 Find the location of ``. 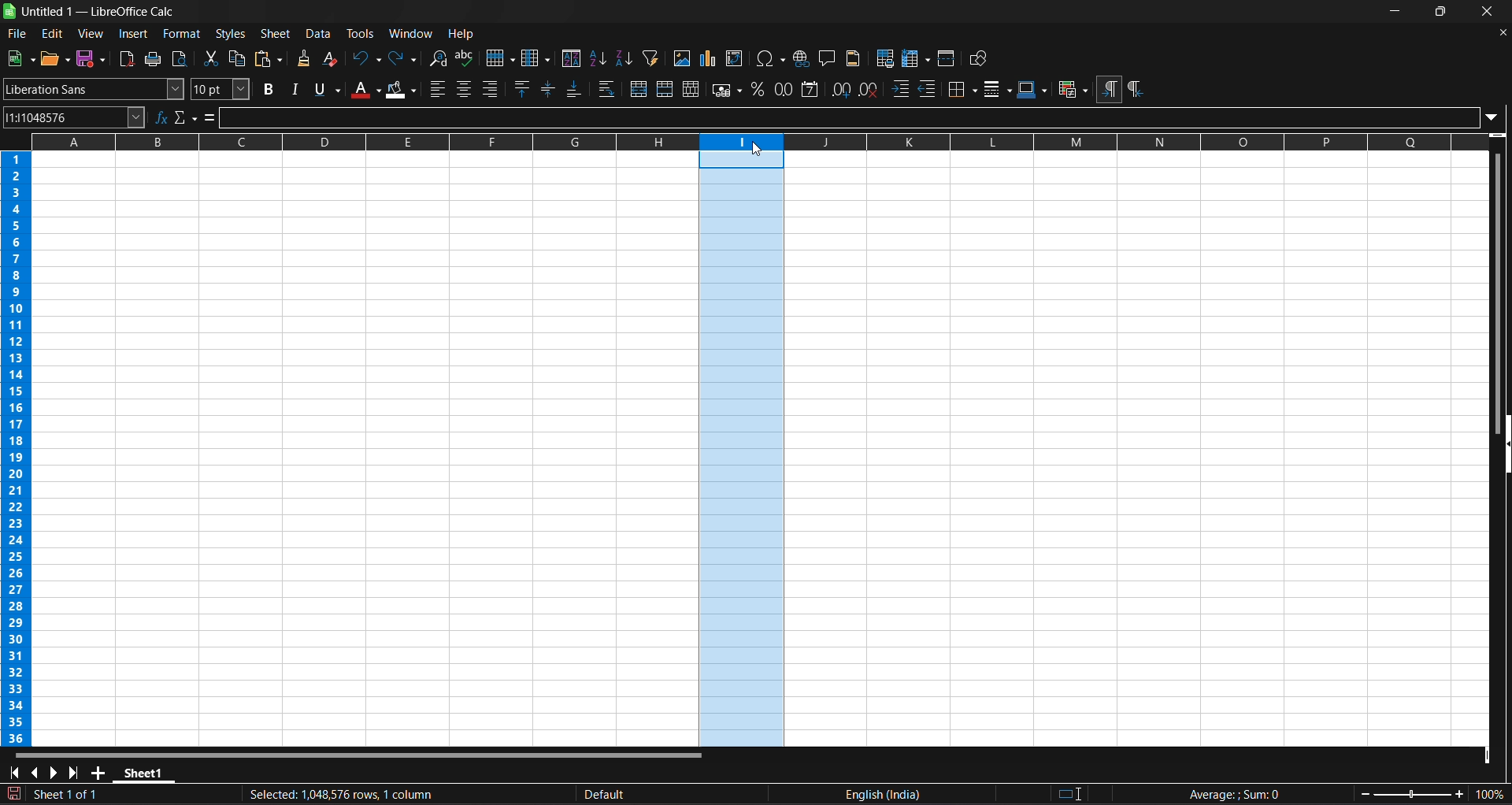

 is located at coordinates (365, 91).